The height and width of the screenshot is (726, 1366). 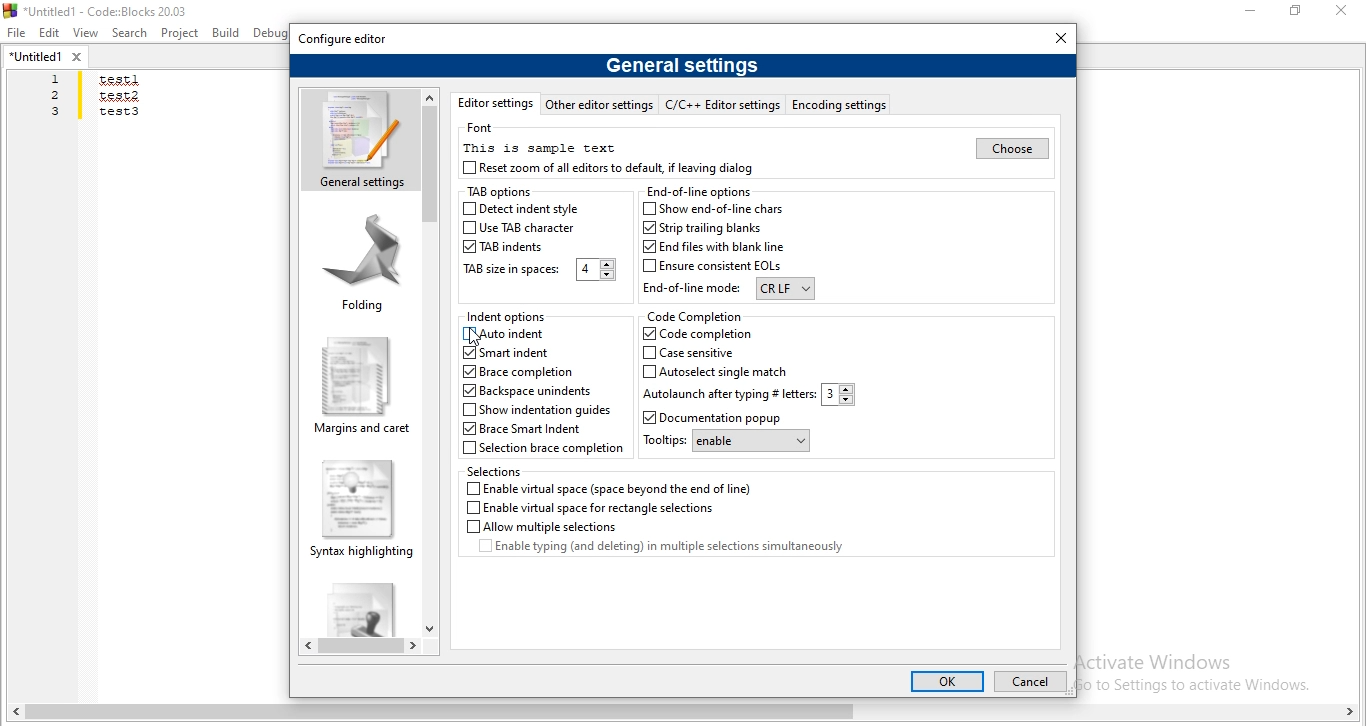 I want to click on cursor, so click(x=477, y=338).